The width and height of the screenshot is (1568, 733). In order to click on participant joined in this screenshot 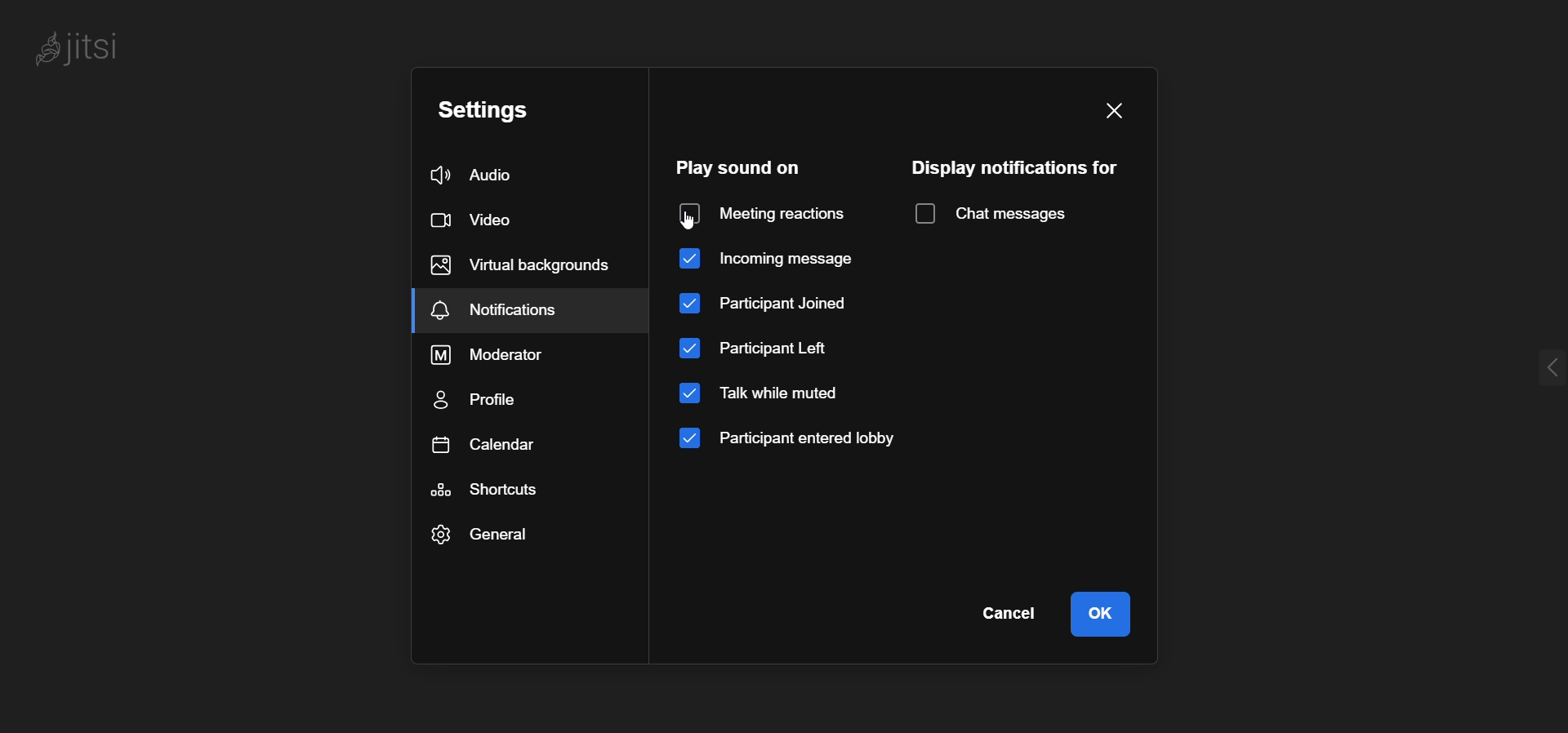, I will do `click(766, 306)`.